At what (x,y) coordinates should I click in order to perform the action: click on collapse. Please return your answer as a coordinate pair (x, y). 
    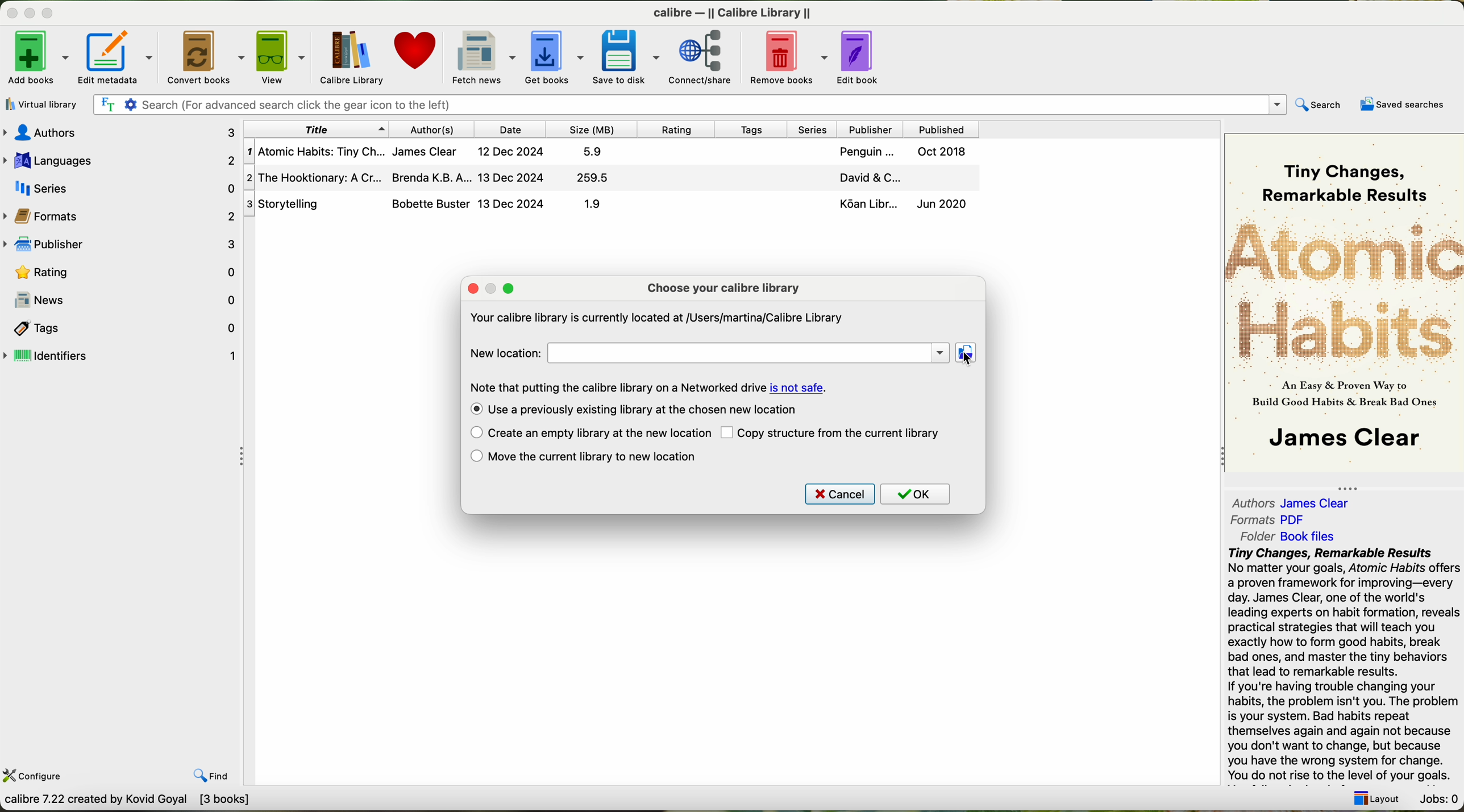
    Looking at the image, I should click on (1218, 458).